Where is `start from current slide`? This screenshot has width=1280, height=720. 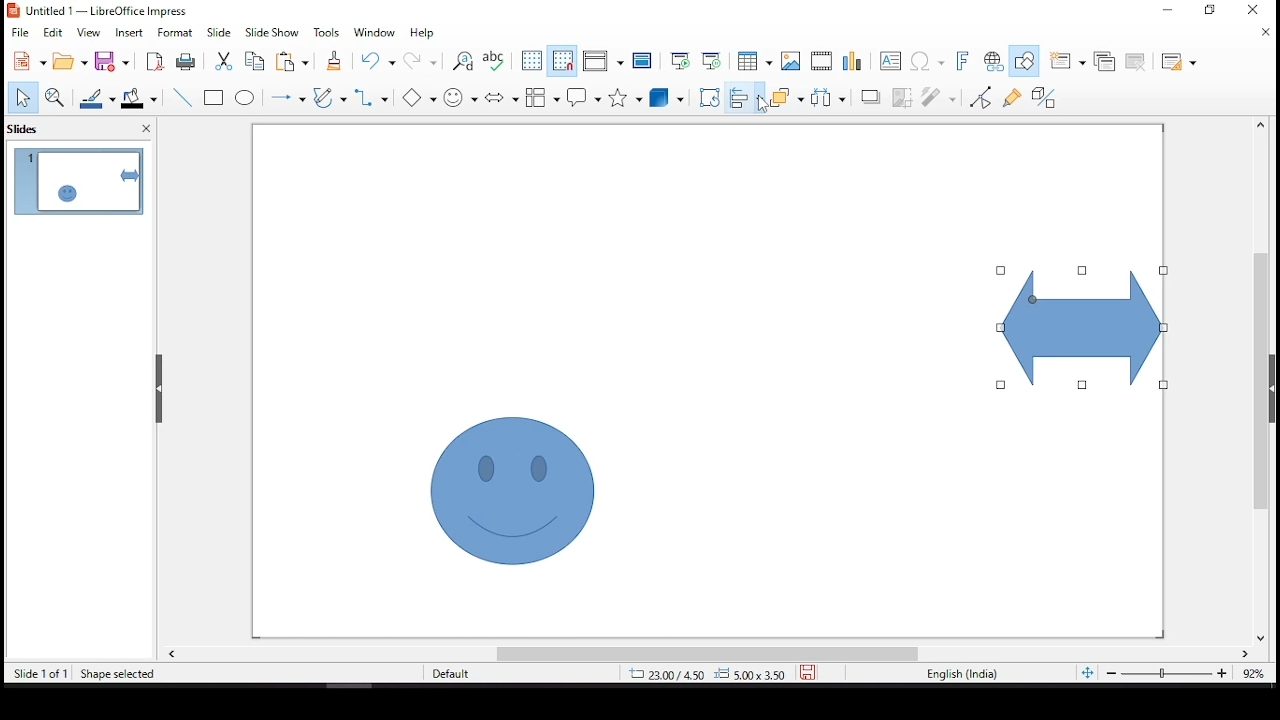 start from current slide is located at coordinates (711, 59).